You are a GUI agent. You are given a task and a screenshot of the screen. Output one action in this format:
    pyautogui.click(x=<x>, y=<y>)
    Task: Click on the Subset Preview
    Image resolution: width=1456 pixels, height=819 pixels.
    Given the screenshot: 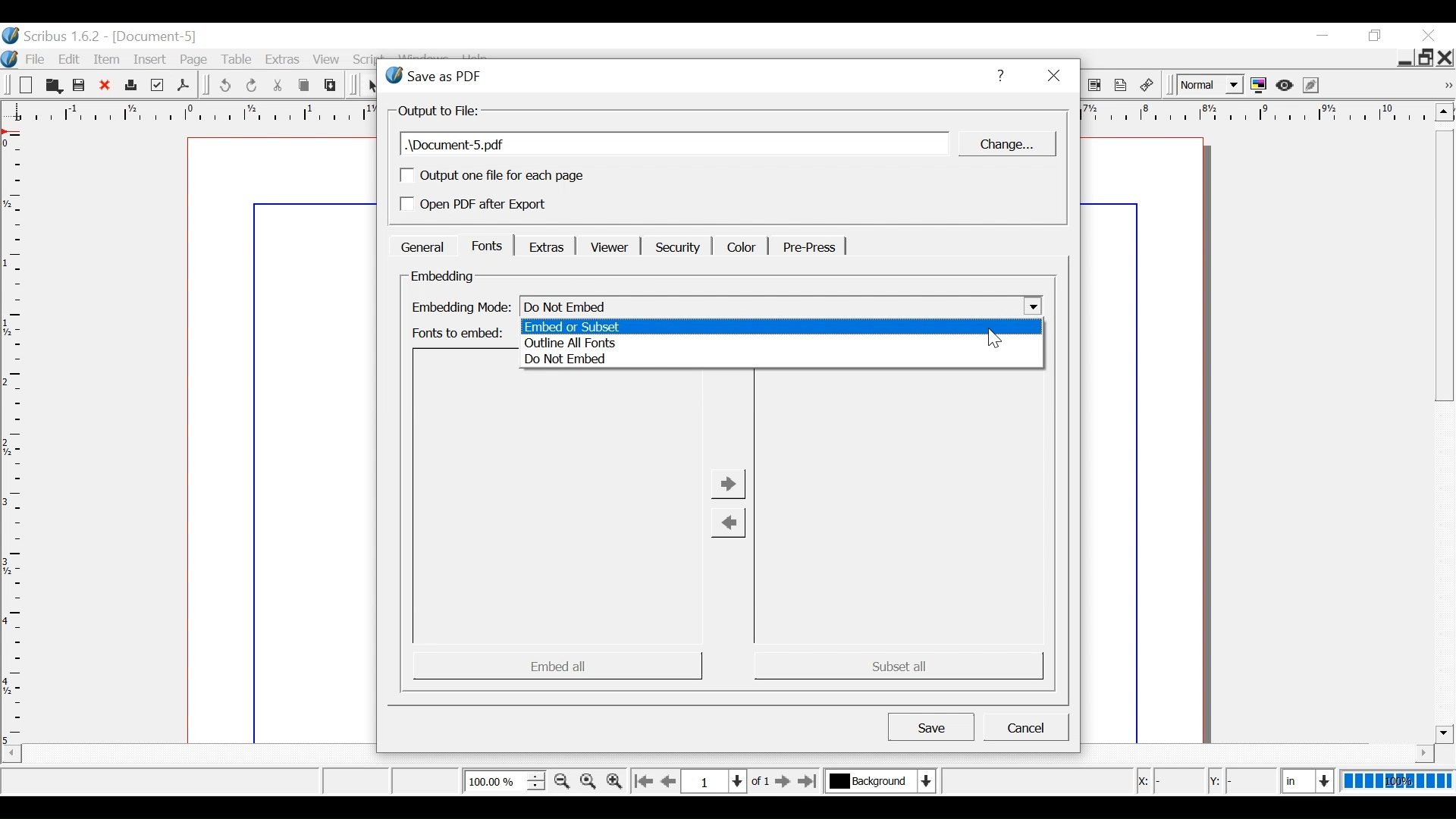 What is the action you would take?
    pyautogui.click(x=899, y=511)
    